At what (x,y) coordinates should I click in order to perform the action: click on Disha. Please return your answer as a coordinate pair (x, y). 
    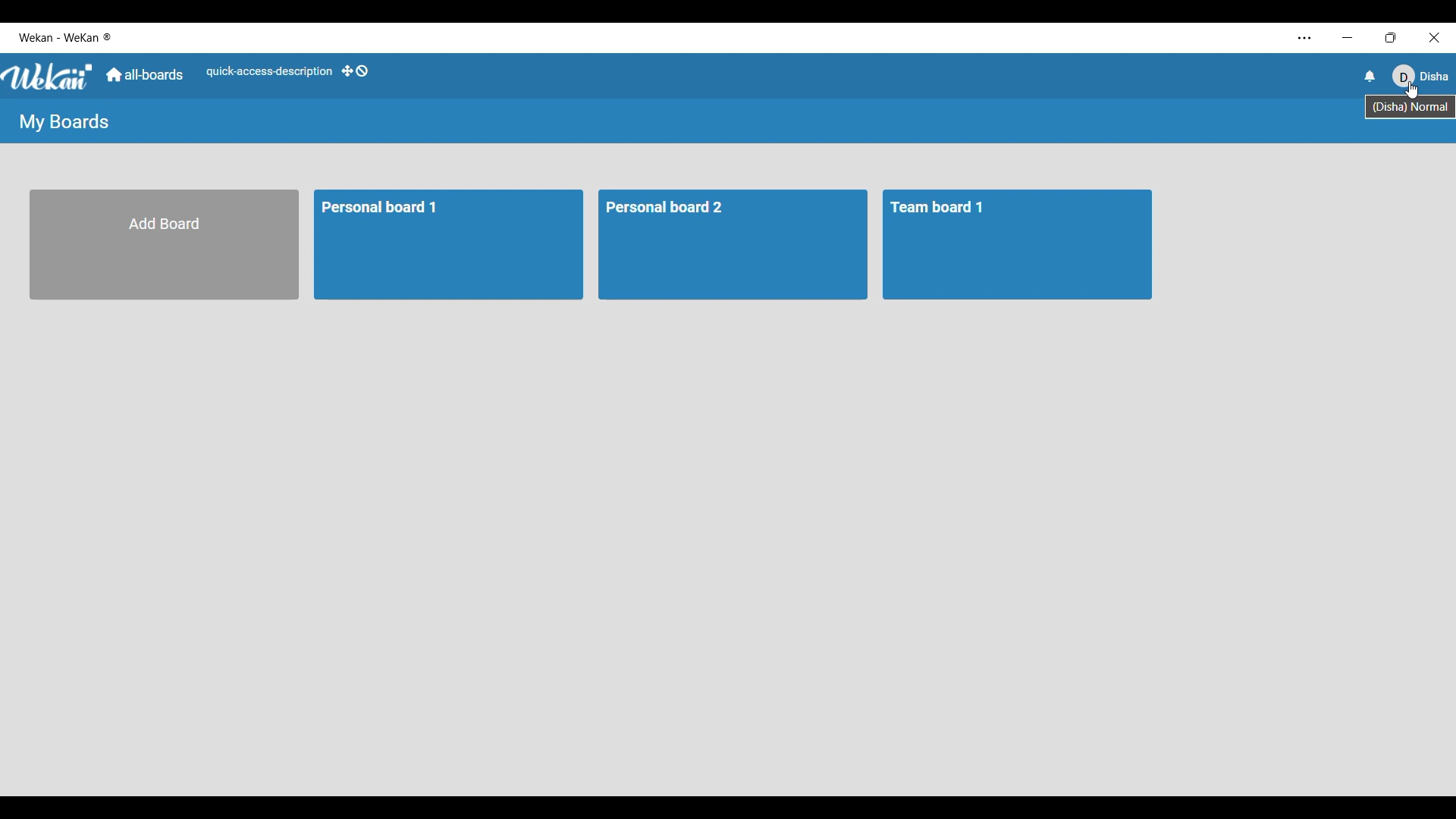
    Looking at the image, I should click on (1421, 80).